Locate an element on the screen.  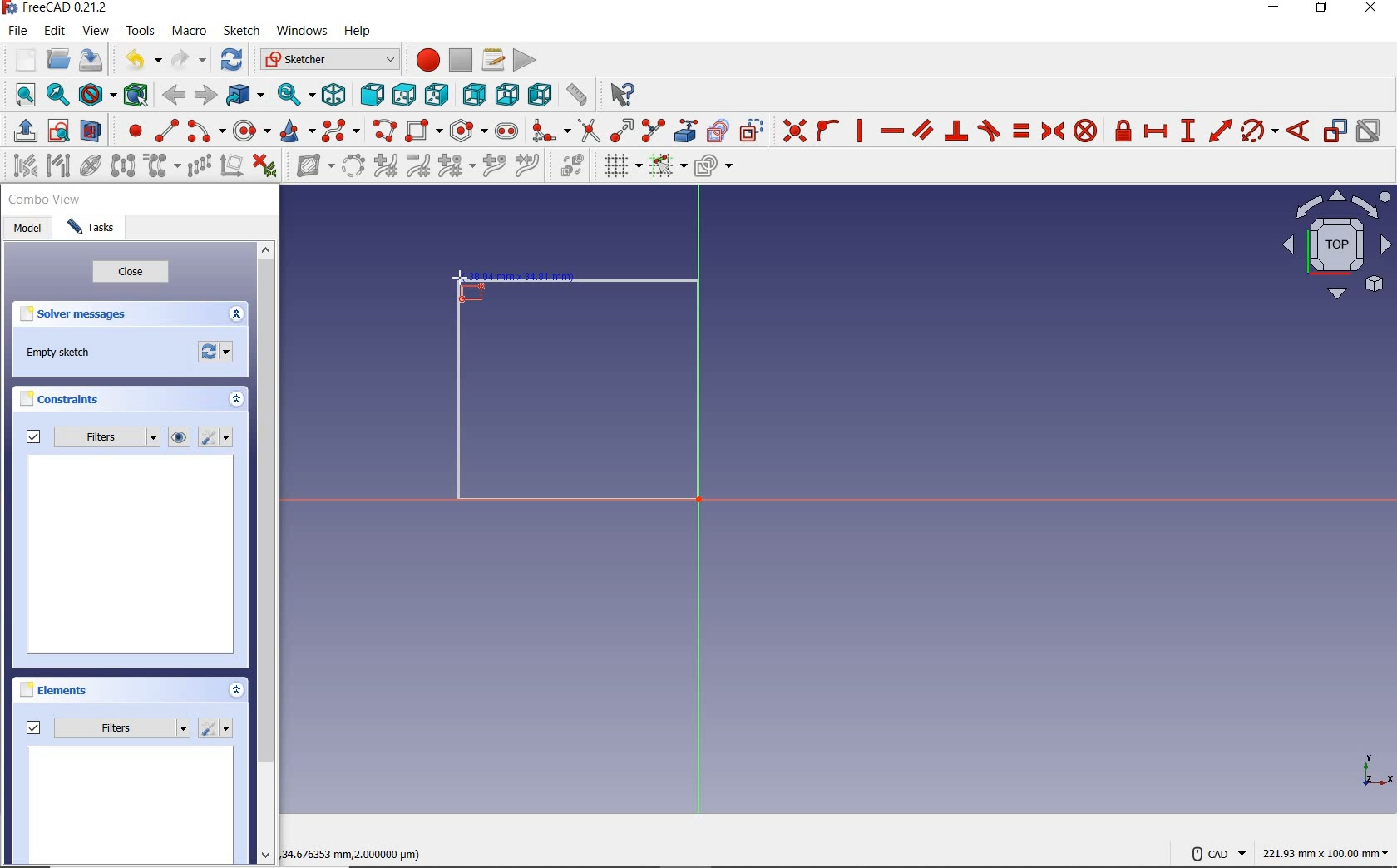
trim edge is located at coordinates (588, 131).